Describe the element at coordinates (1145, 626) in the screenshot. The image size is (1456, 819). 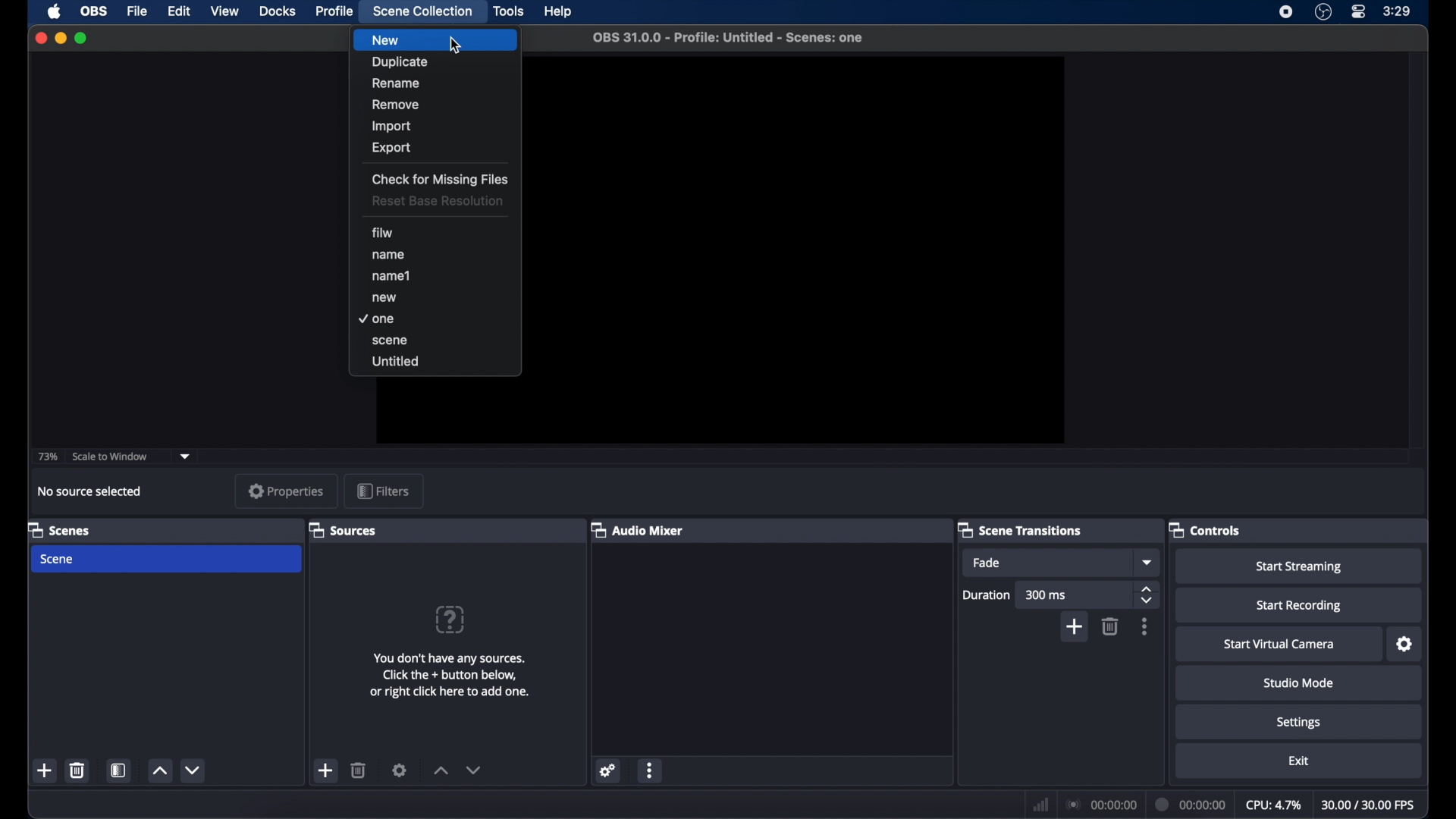
I see `more options` at that location.